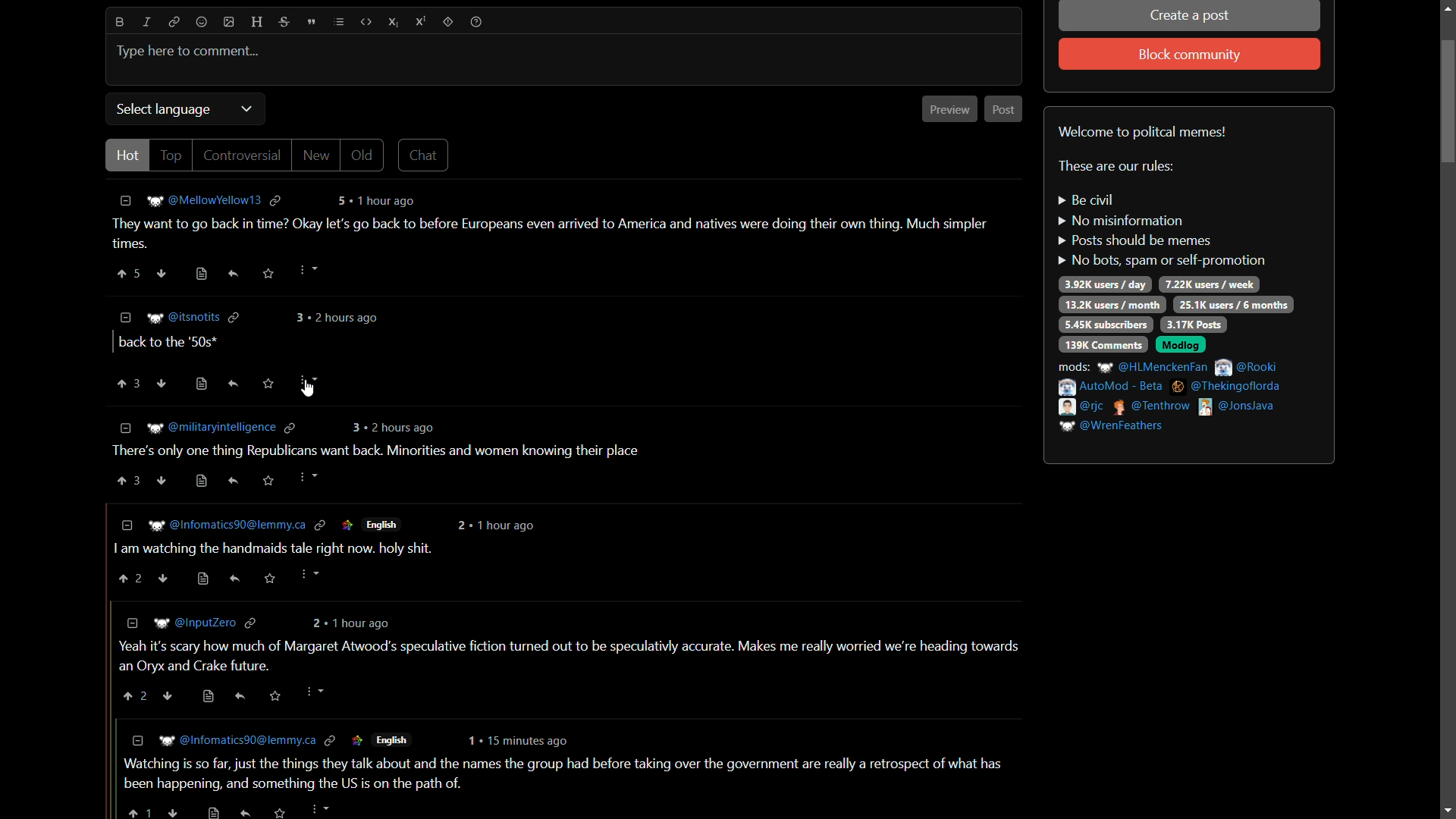  Describe the element at coordinates (1234, 306) in the screenshot. I see `25.1k users/6 months` at that location.